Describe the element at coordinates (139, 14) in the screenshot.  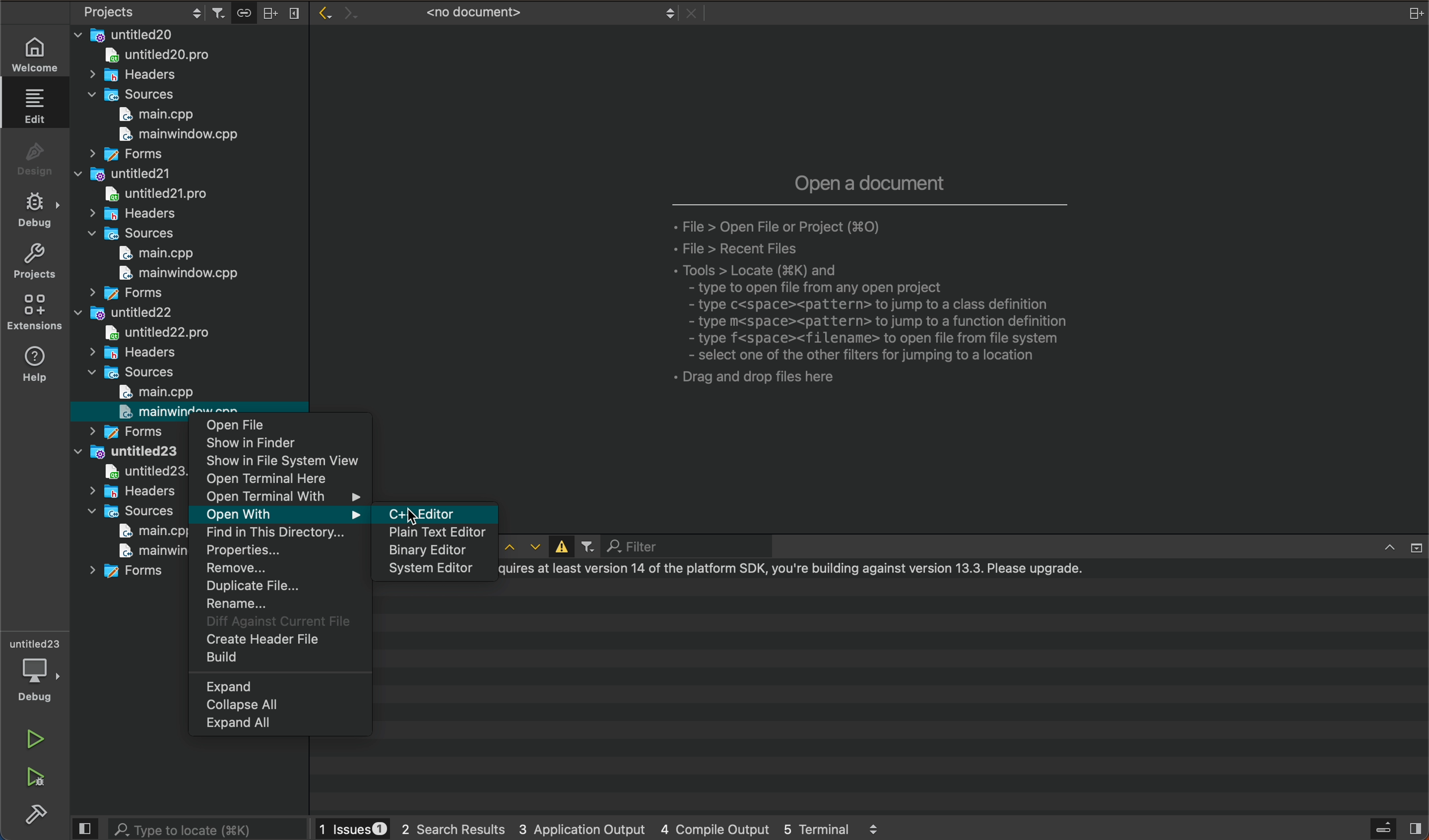
I see `pojects` at that location.